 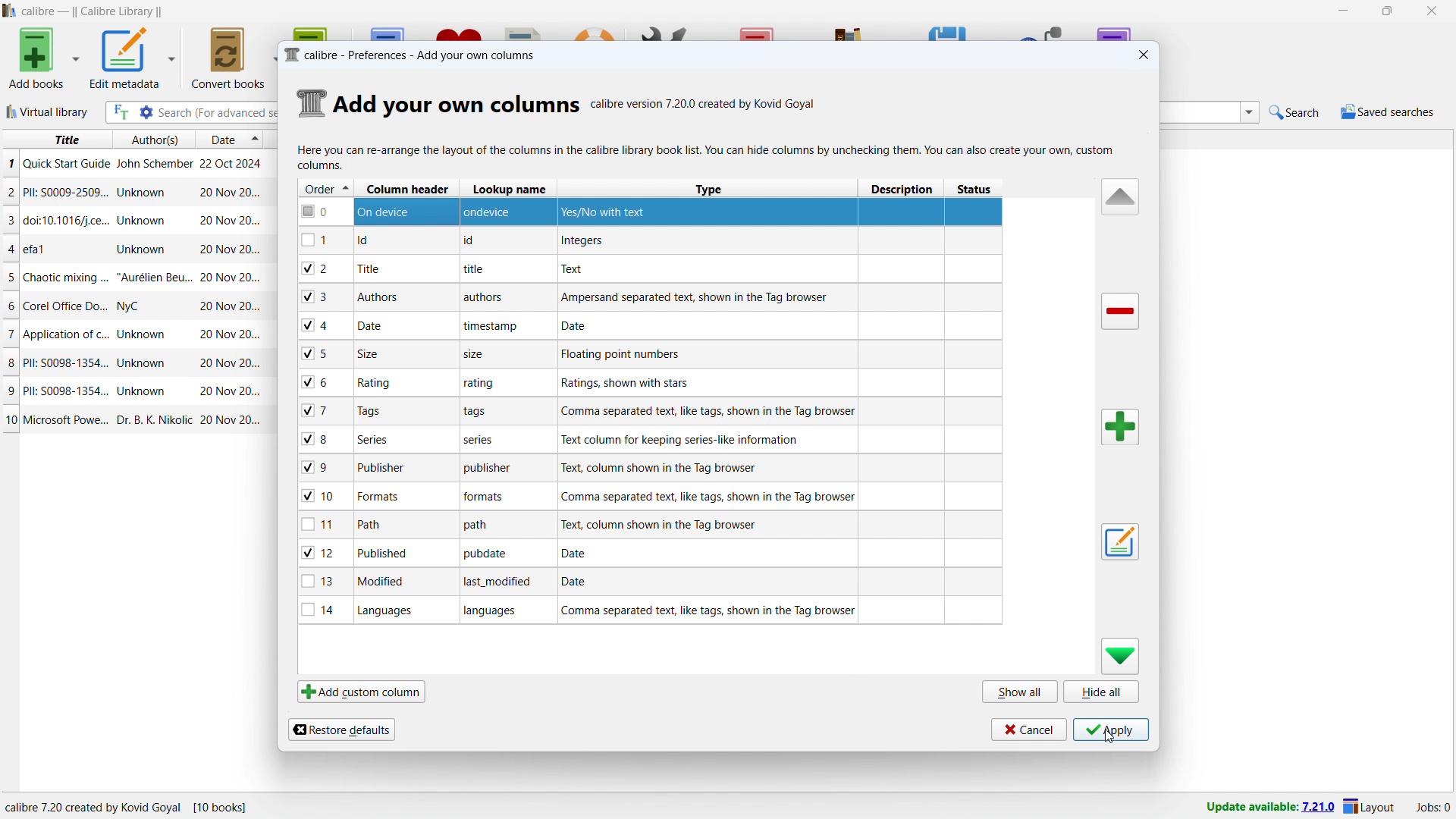 I want to click on Vv 4 Date timestamp Date, so click(x=651, y=325).